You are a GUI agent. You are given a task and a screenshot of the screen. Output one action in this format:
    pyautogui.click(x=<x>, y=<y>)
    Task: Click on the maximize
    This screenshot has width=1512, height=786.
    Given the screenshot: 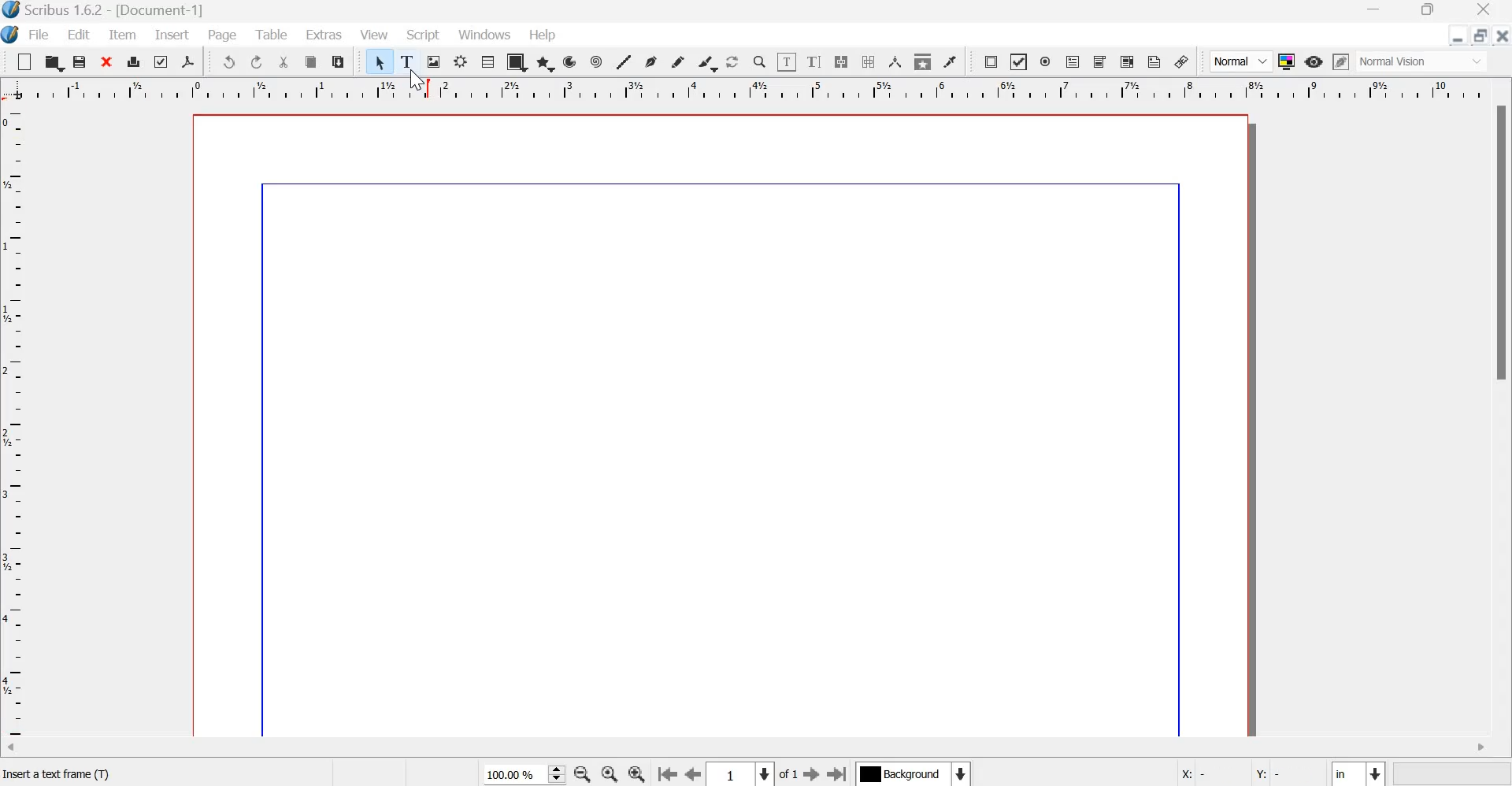 What is the action you would take?
    pyautogui.click(x=1480, y=35)
    